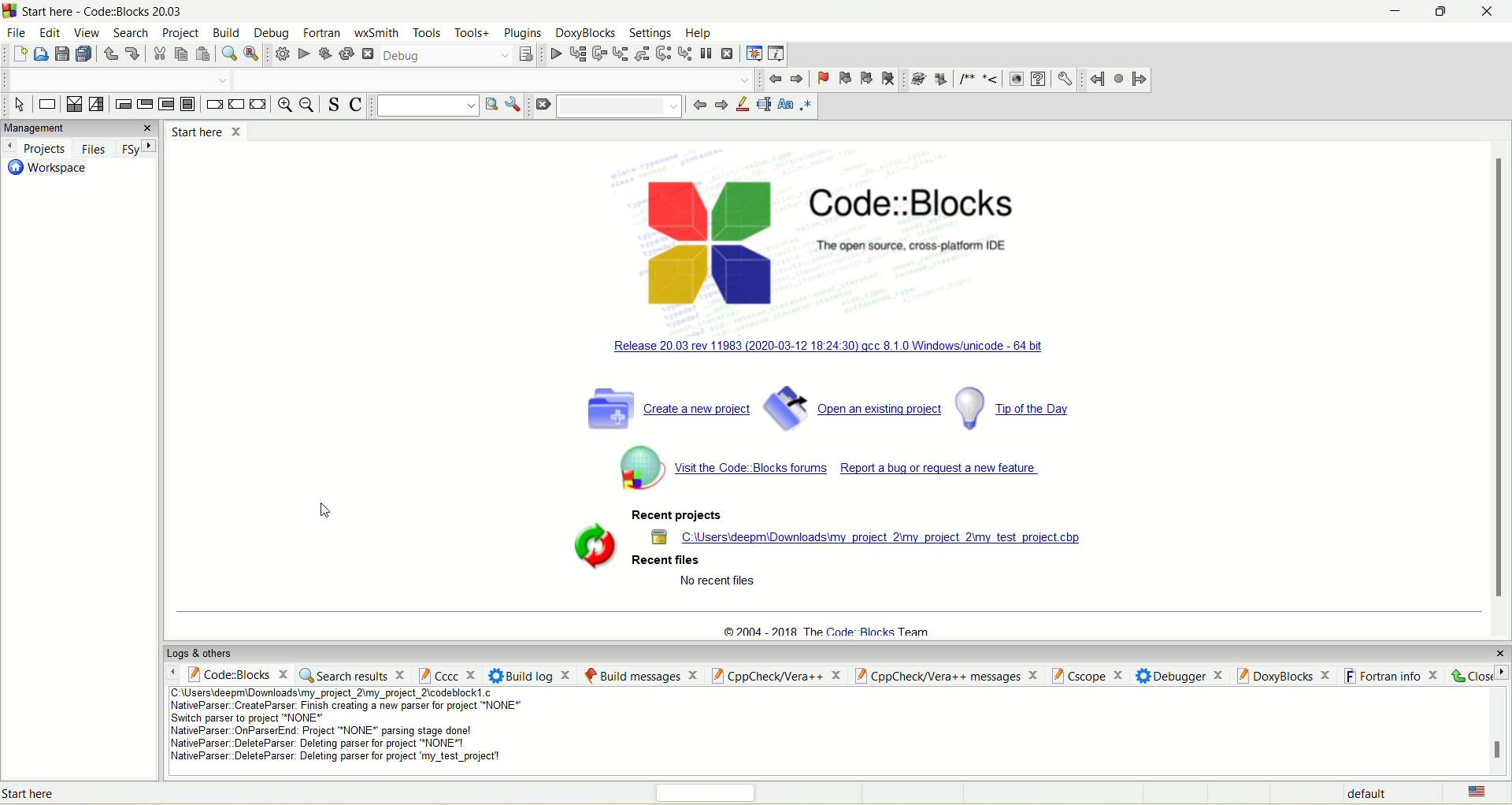  Describe the element at coordinates (697, 34) in the screenshot. I see `help` at that location.